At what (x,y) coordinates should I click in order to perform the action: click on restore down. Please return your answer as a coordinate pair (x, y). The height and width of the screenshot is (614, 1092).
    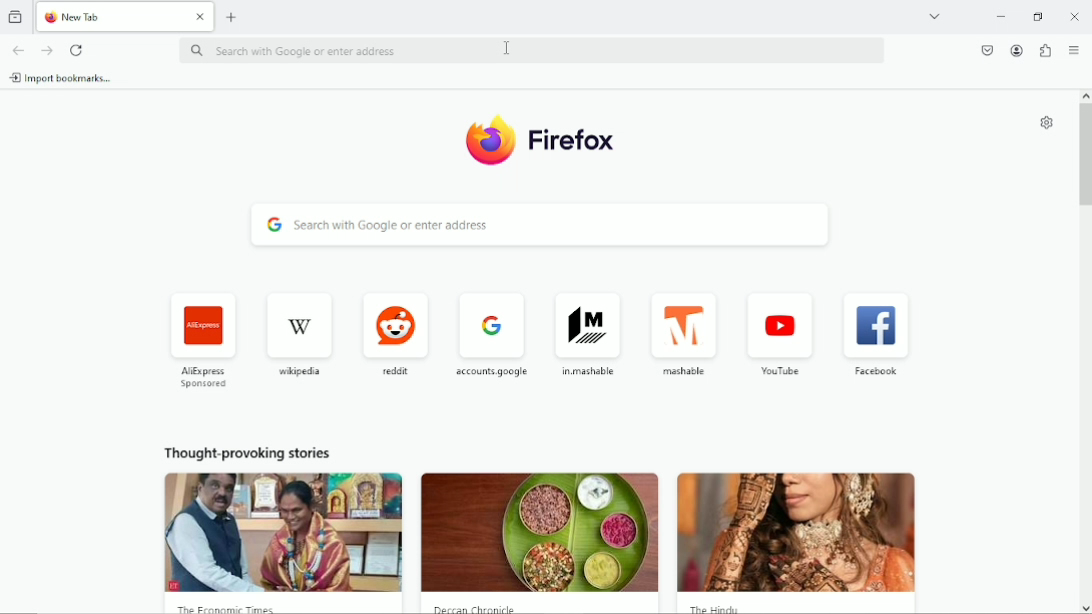
    Looking at the image, I should click on (1038, 16).